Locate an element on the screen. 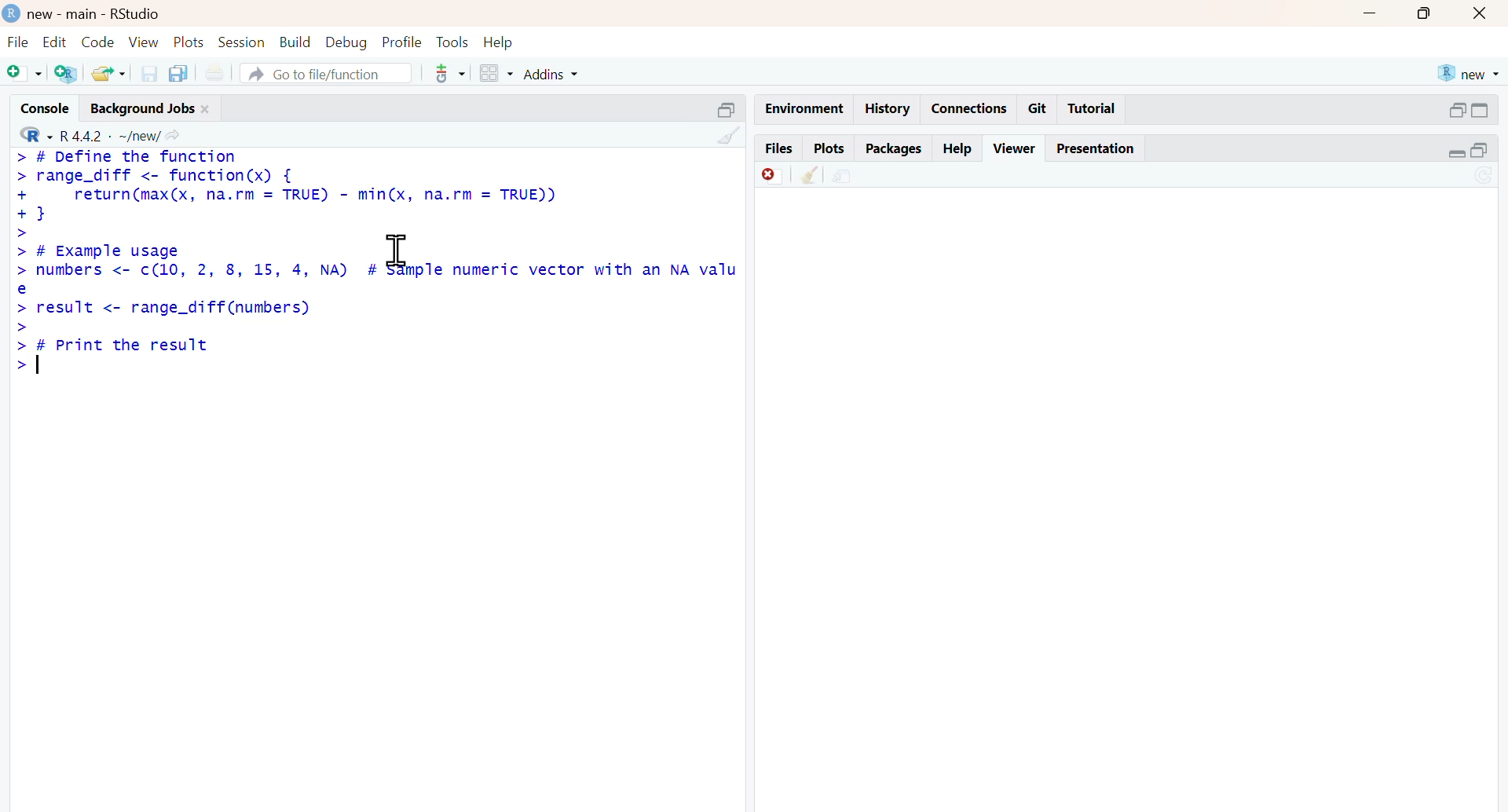  new - main - RStudio is located at coordinates (96, 16).